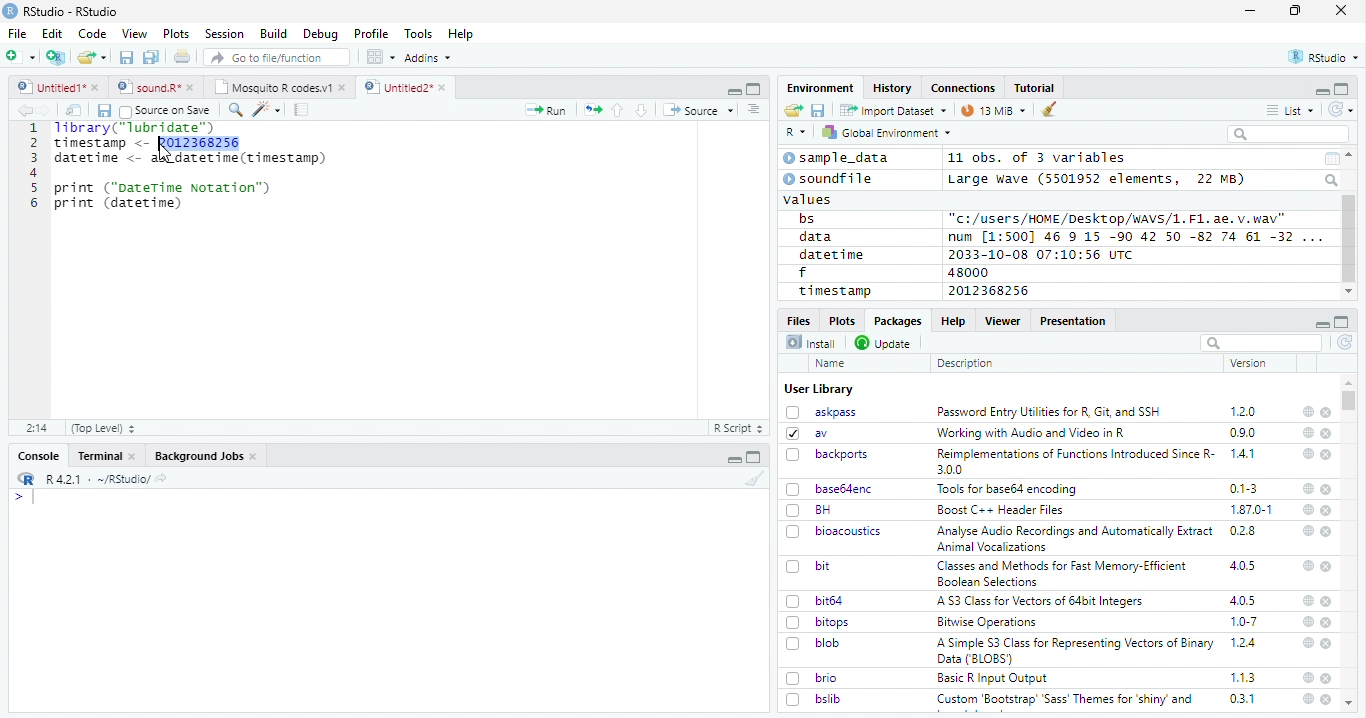 The image size is (1366, 718). I want to click on soundfile, so click(829, 179).